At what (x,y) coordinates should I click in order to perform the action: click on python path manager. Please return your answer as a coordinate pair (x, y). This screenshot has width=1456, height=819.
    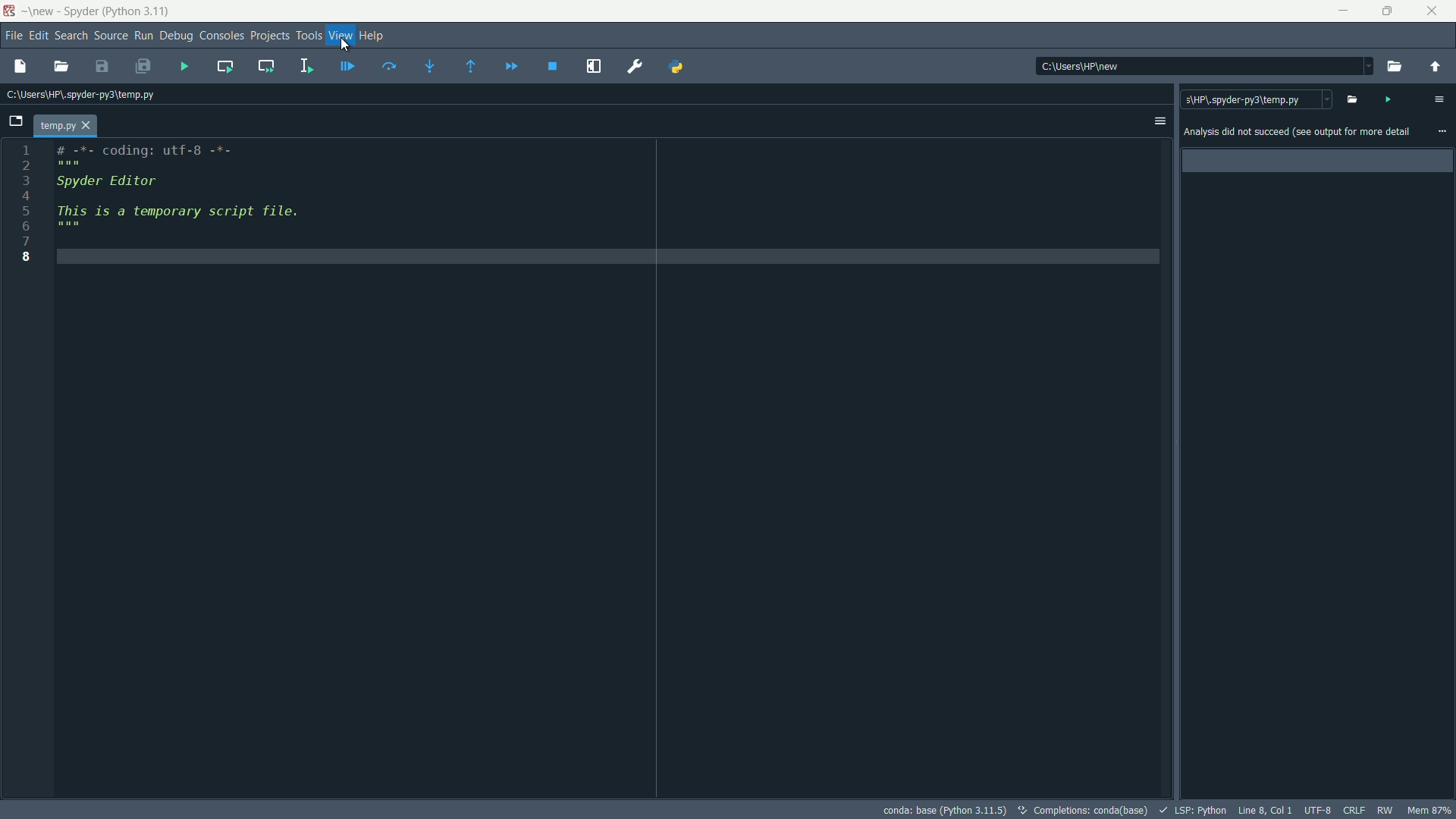
    Looking at the image, I should click on (676, 67).